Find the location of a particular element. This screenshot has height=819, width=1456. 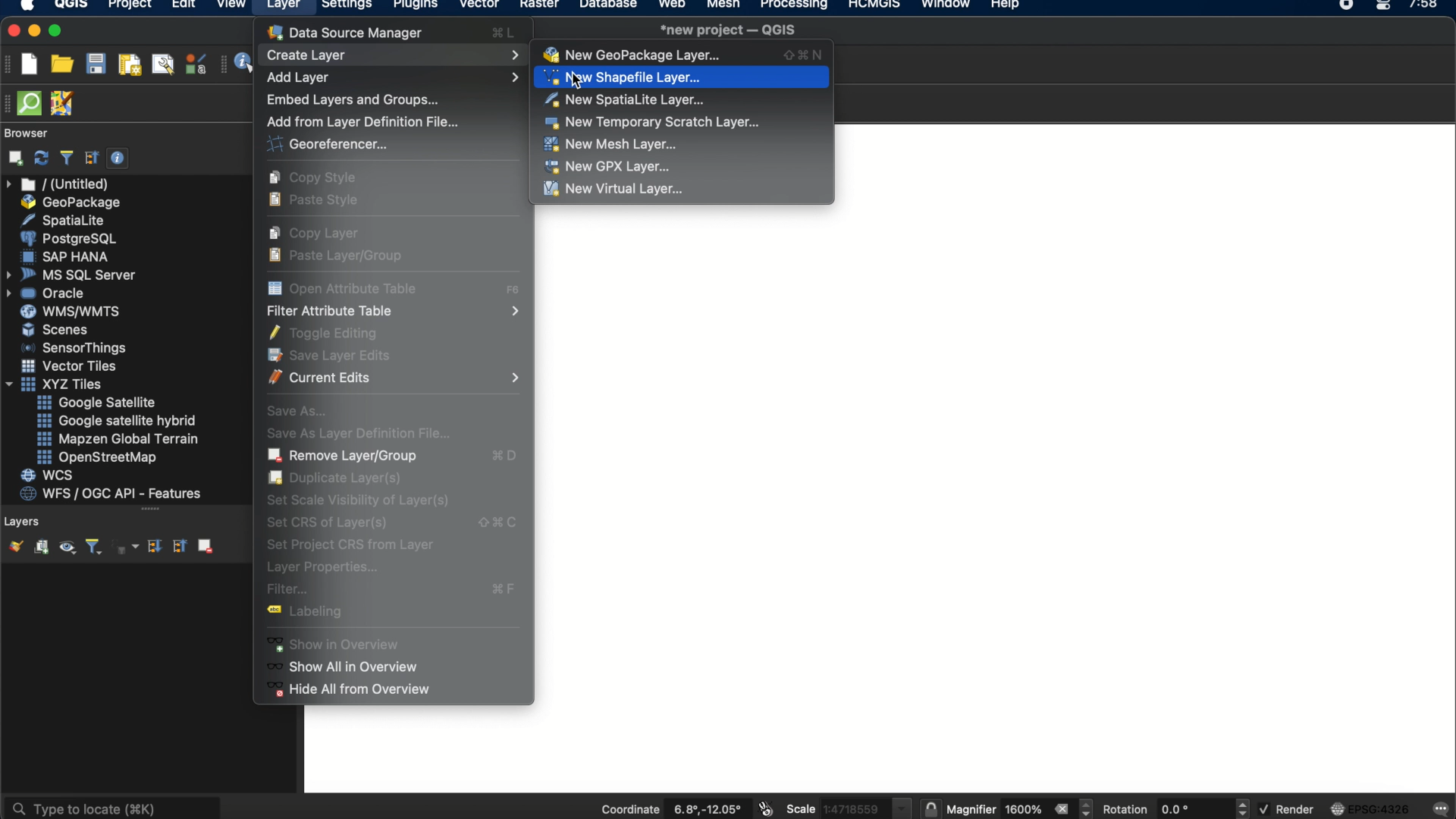

collapse all is located at coordinates (178, 545).